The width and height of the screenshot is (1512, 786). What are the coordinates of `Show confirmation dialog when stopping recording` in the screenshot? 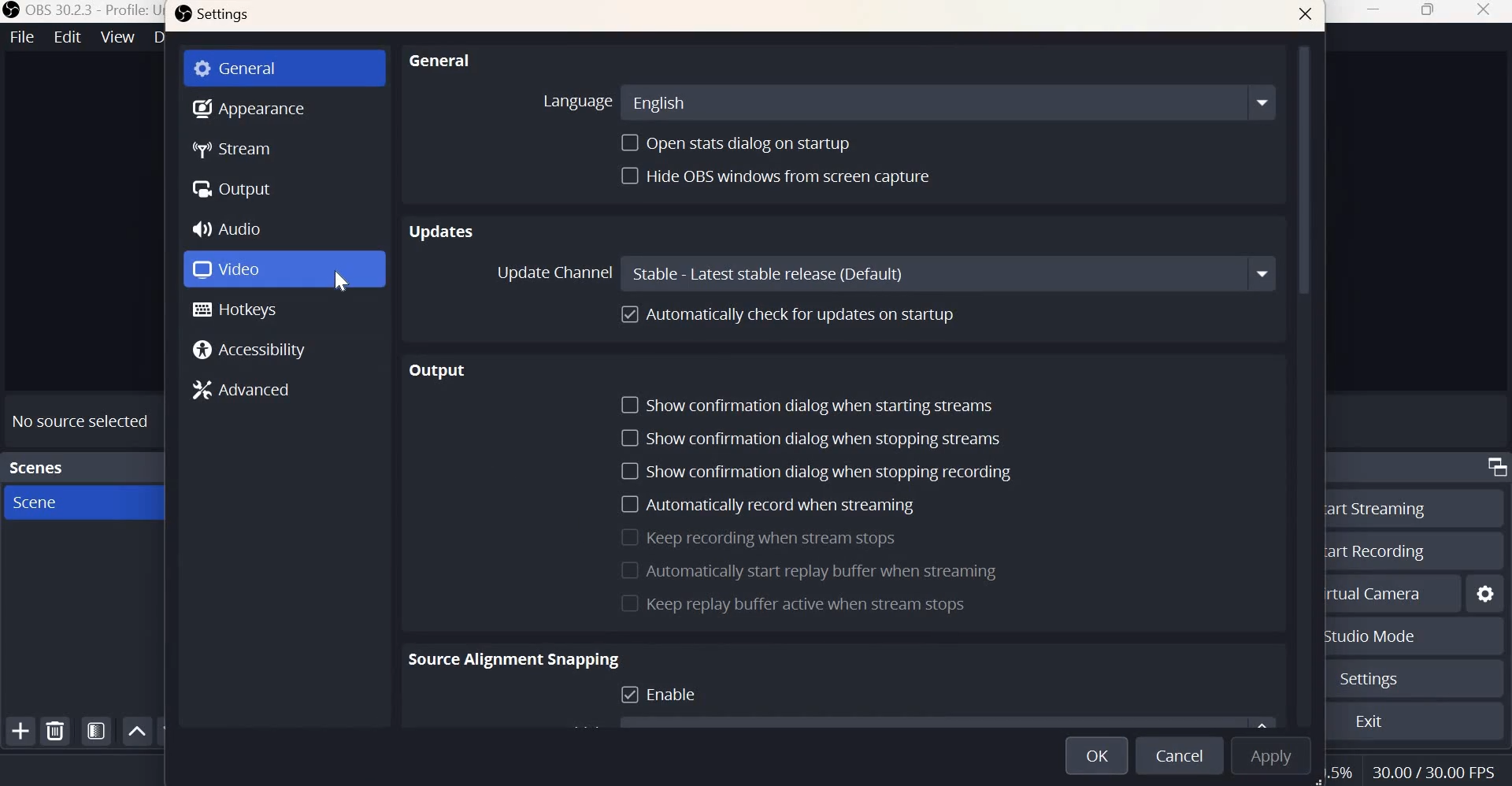 It's located at (821, 470).